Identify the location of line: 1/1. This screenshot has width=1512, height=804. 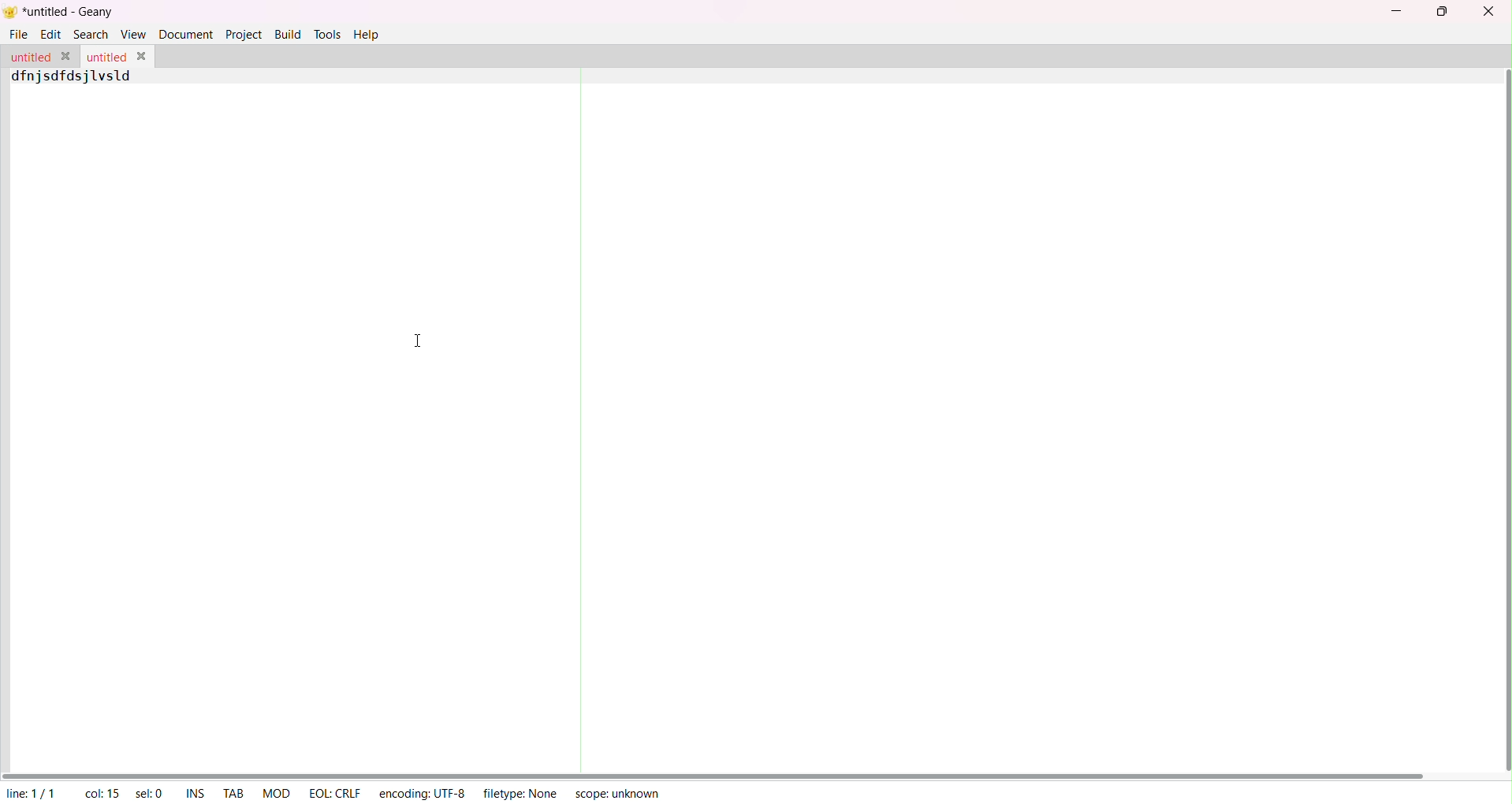
(29, 793).